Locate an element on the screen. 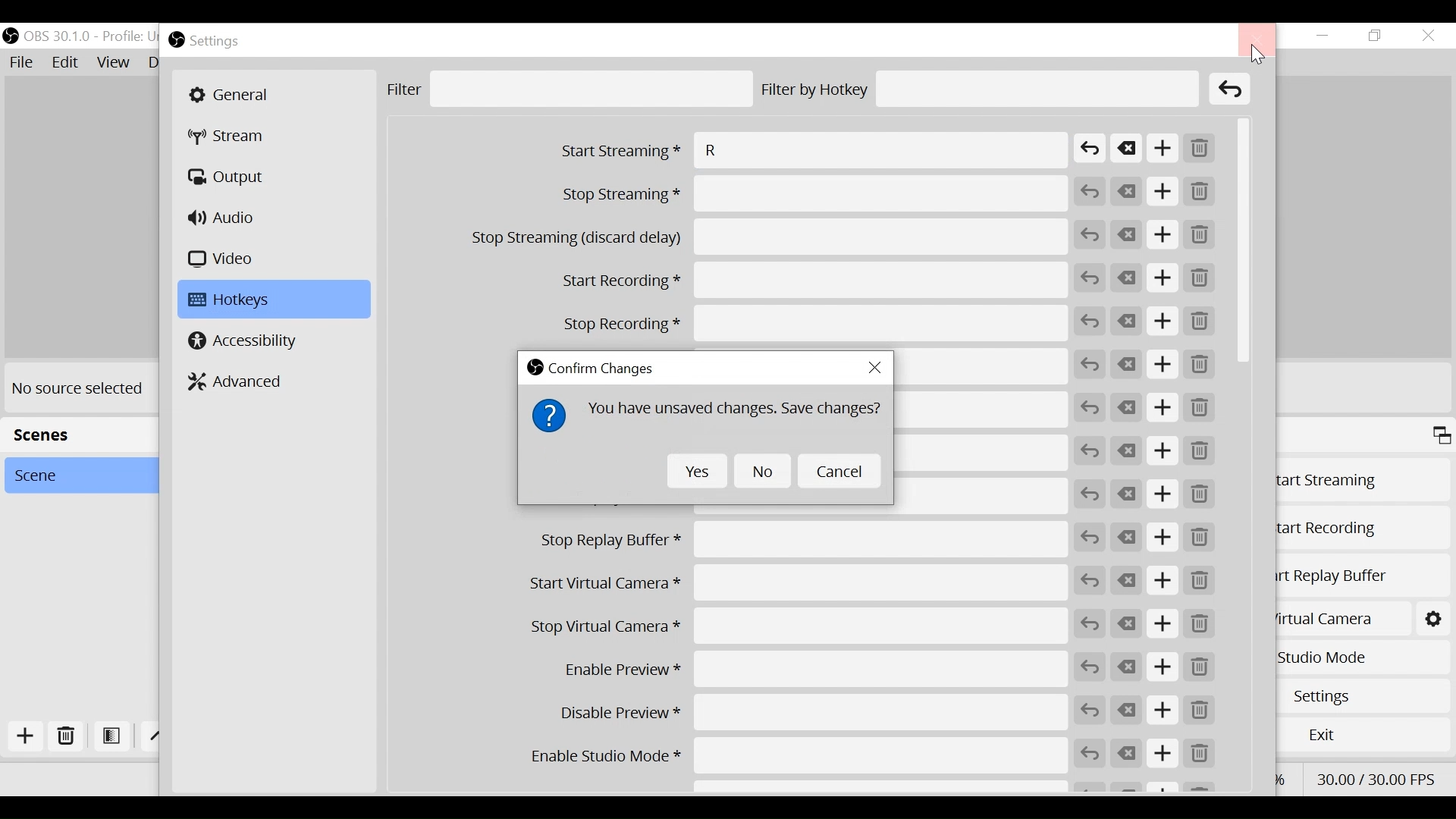 The width and height of the screenshot is (1456, 819). Revert is located at coordinates (1091, 581).